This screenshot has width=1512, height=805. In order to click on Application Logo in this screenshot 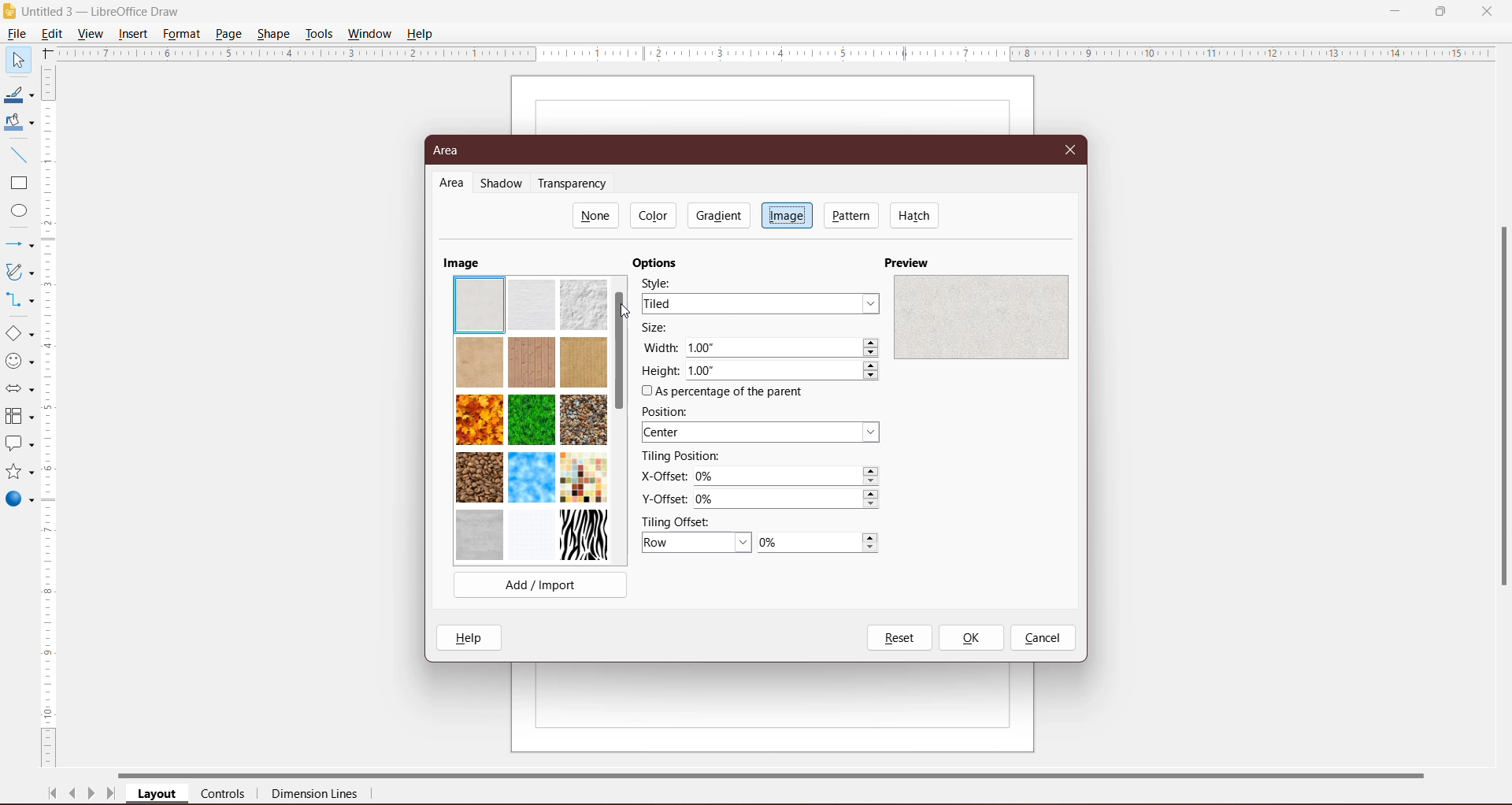, I will do `click(10, 12)`.